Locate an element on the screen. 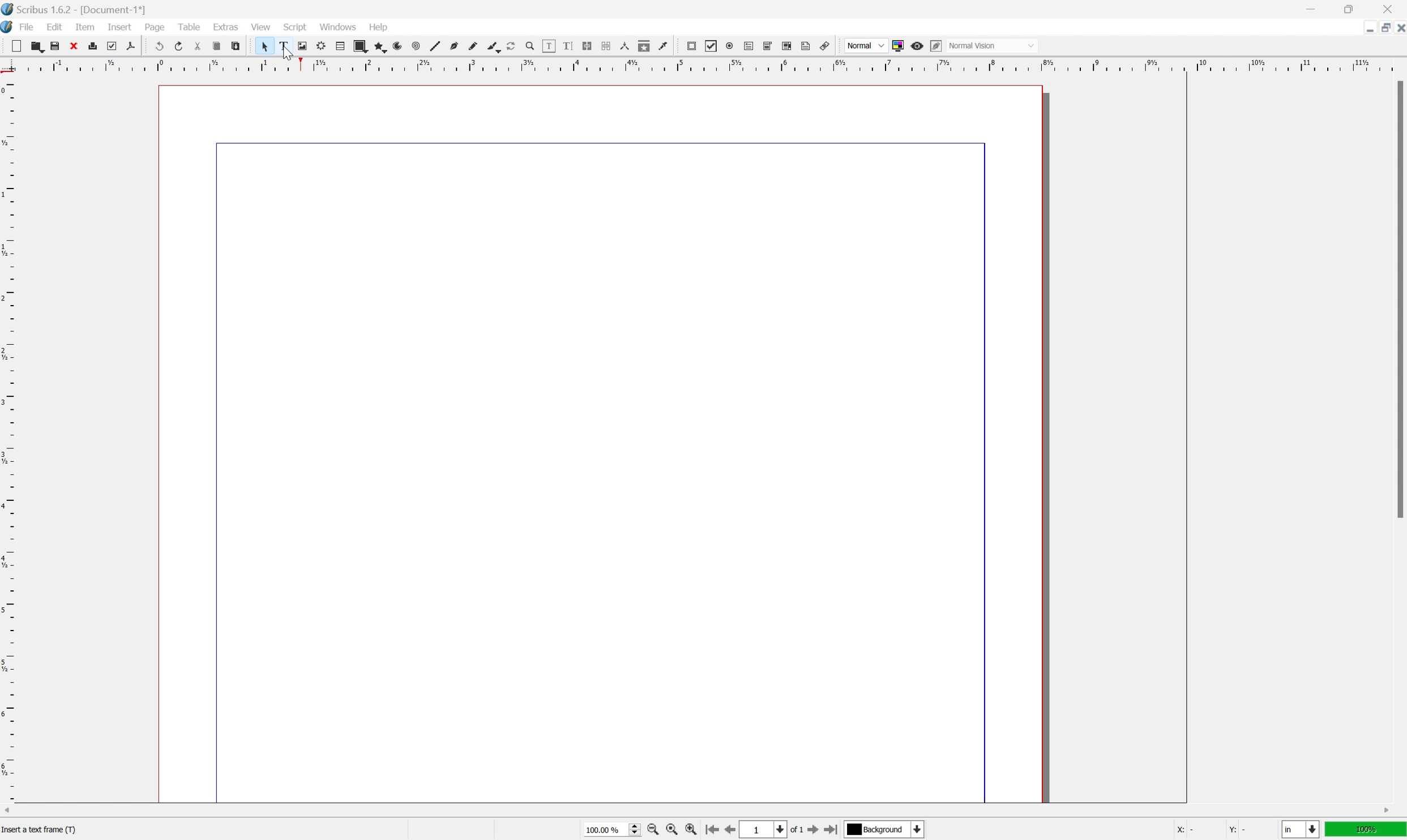  measurements is located at coordinates (625, 46).